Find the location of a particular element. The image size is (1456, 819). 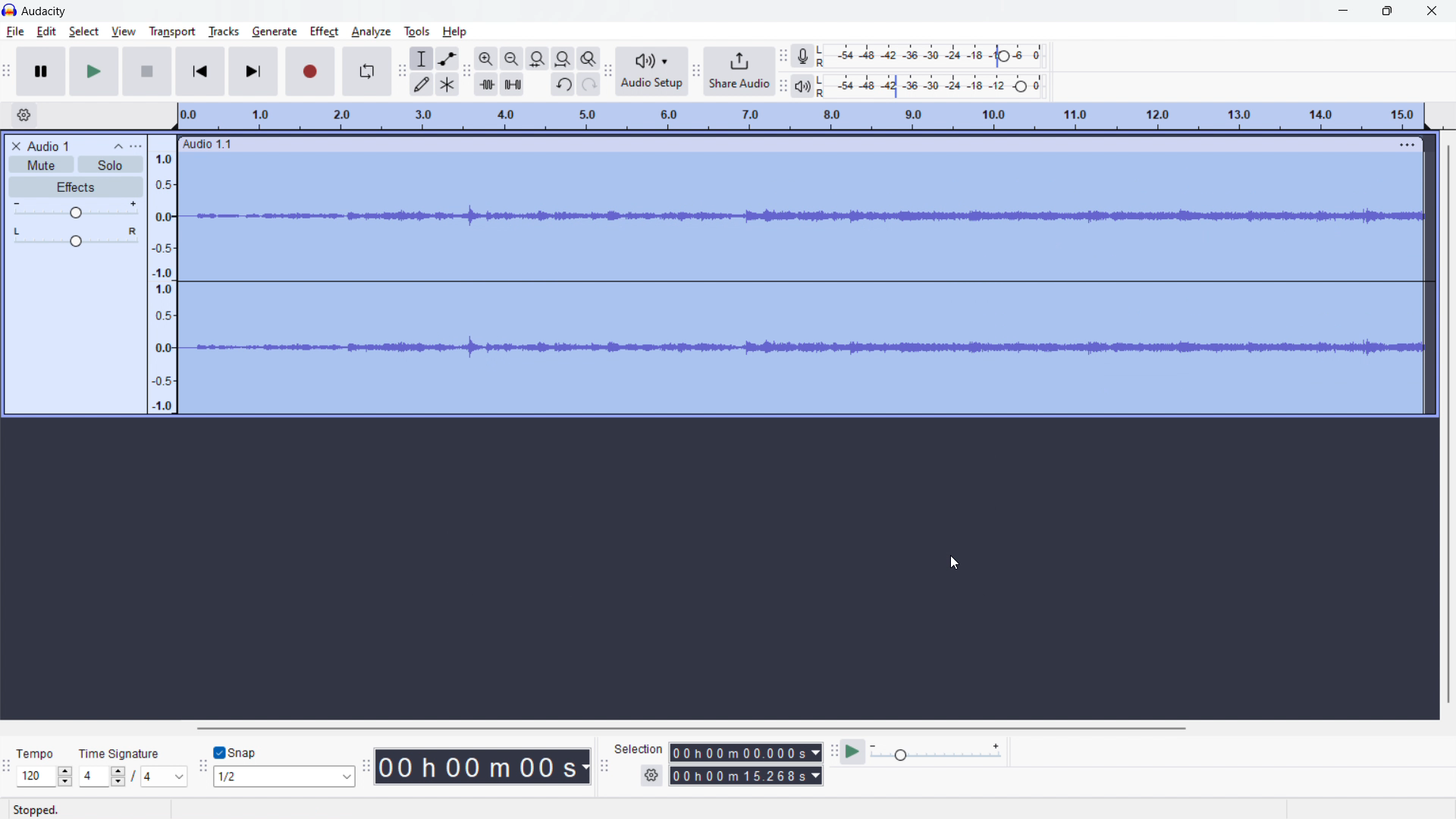

Audacity logo is located at coordinates (10, 10).